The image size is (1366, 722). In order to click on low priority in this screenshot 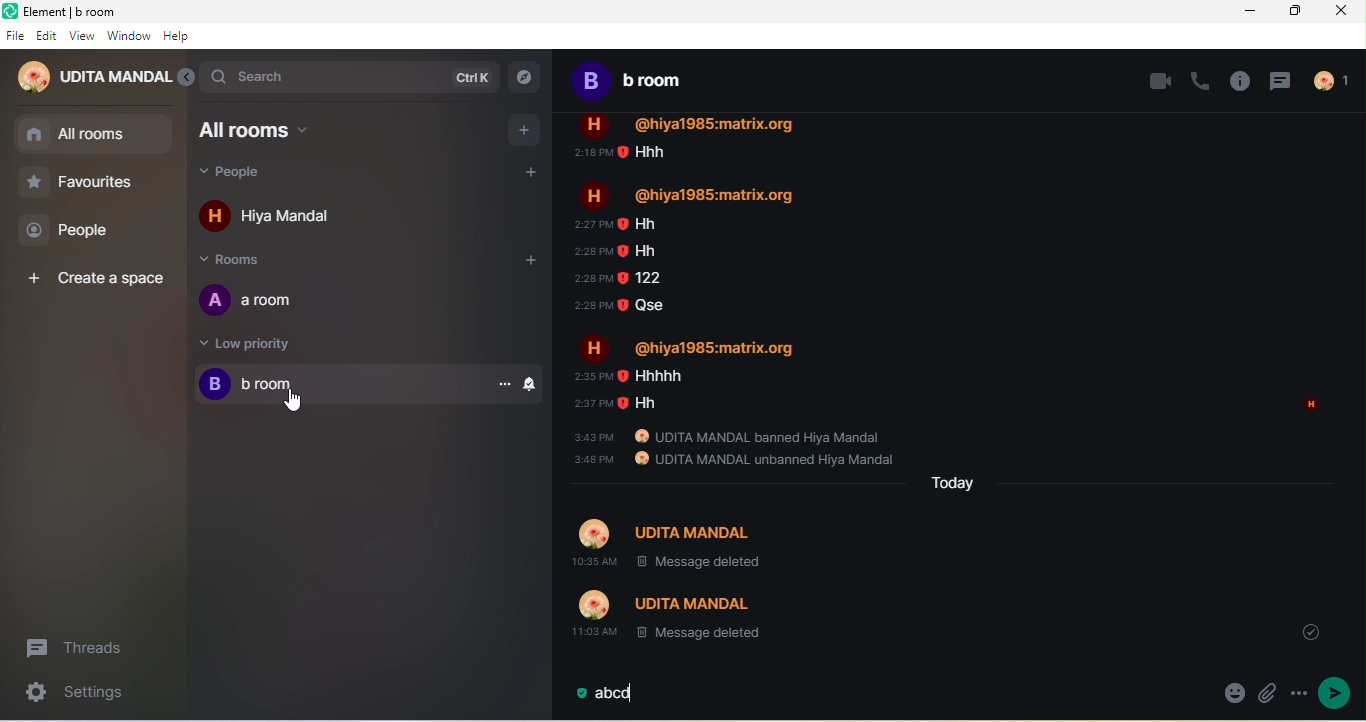, I will do `click(274, 344)`.